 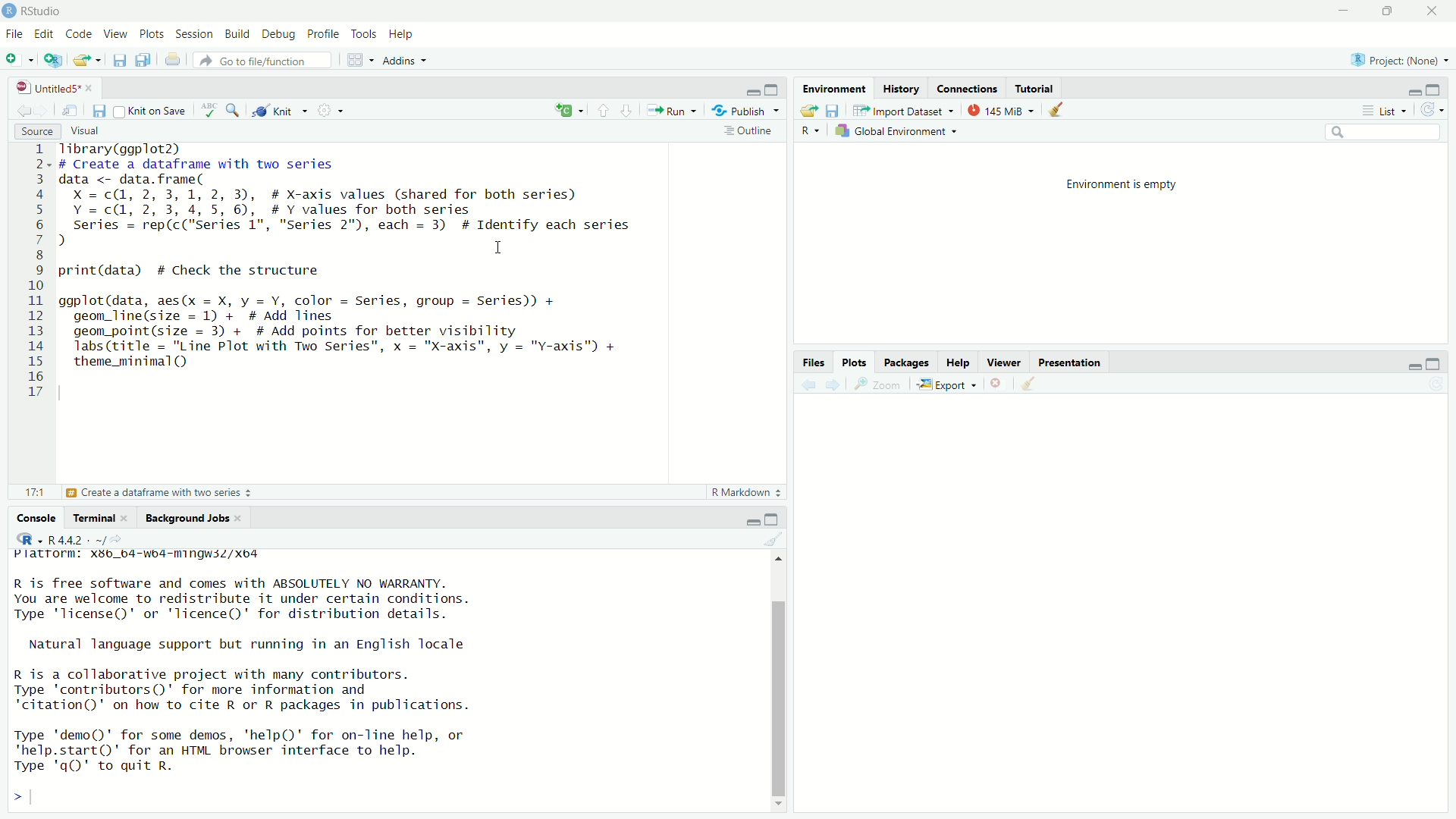 What do you see at coordinates (746, 493) in the screenshot?
I see `R Markdown` at bounding box center [746, 493].